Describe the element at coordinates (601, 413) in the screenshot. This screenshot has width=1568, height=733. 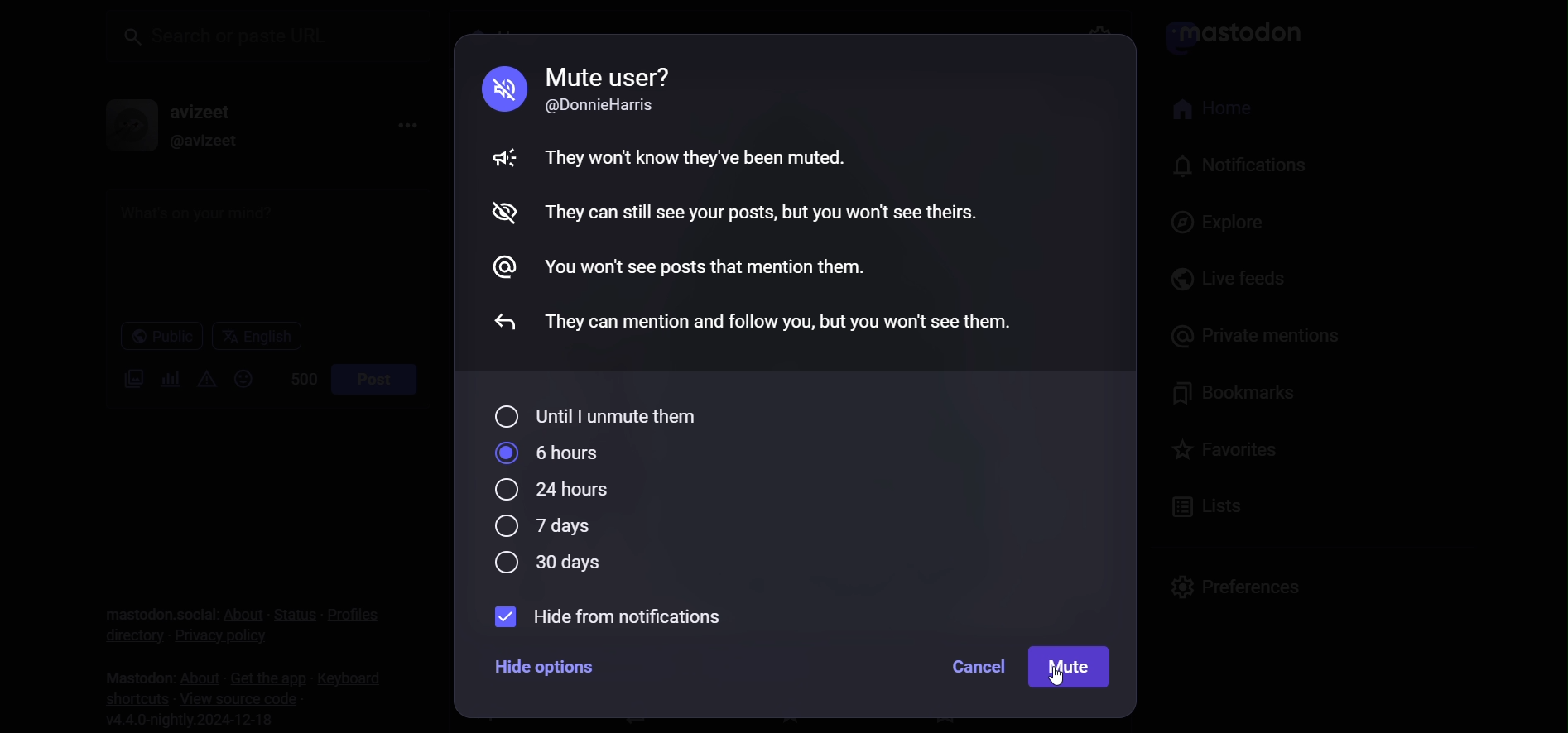
I see `until I unmute them` at that location.